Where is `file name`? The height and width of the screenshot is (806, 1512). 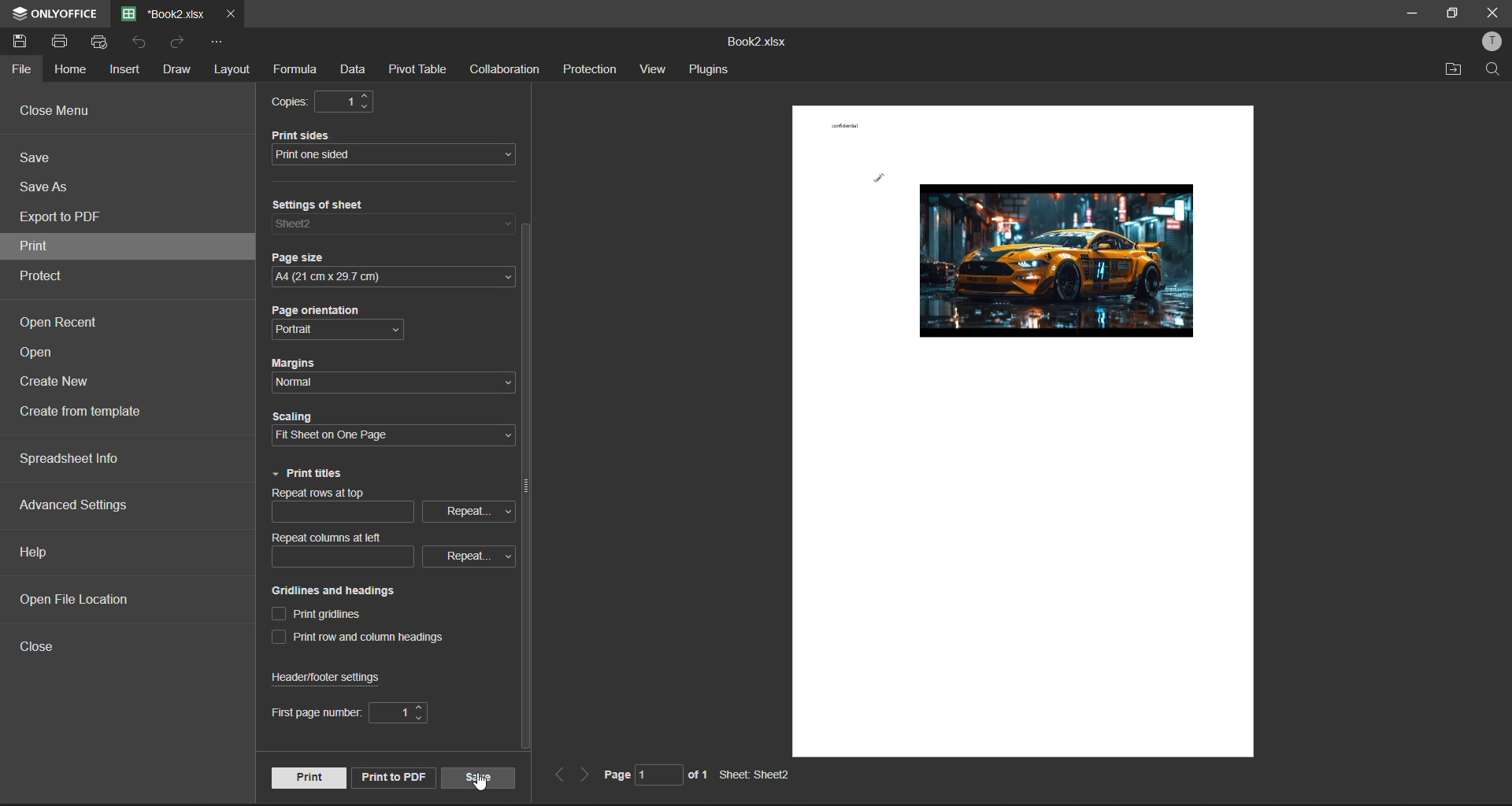
file name is located at coordinates (756, 40).